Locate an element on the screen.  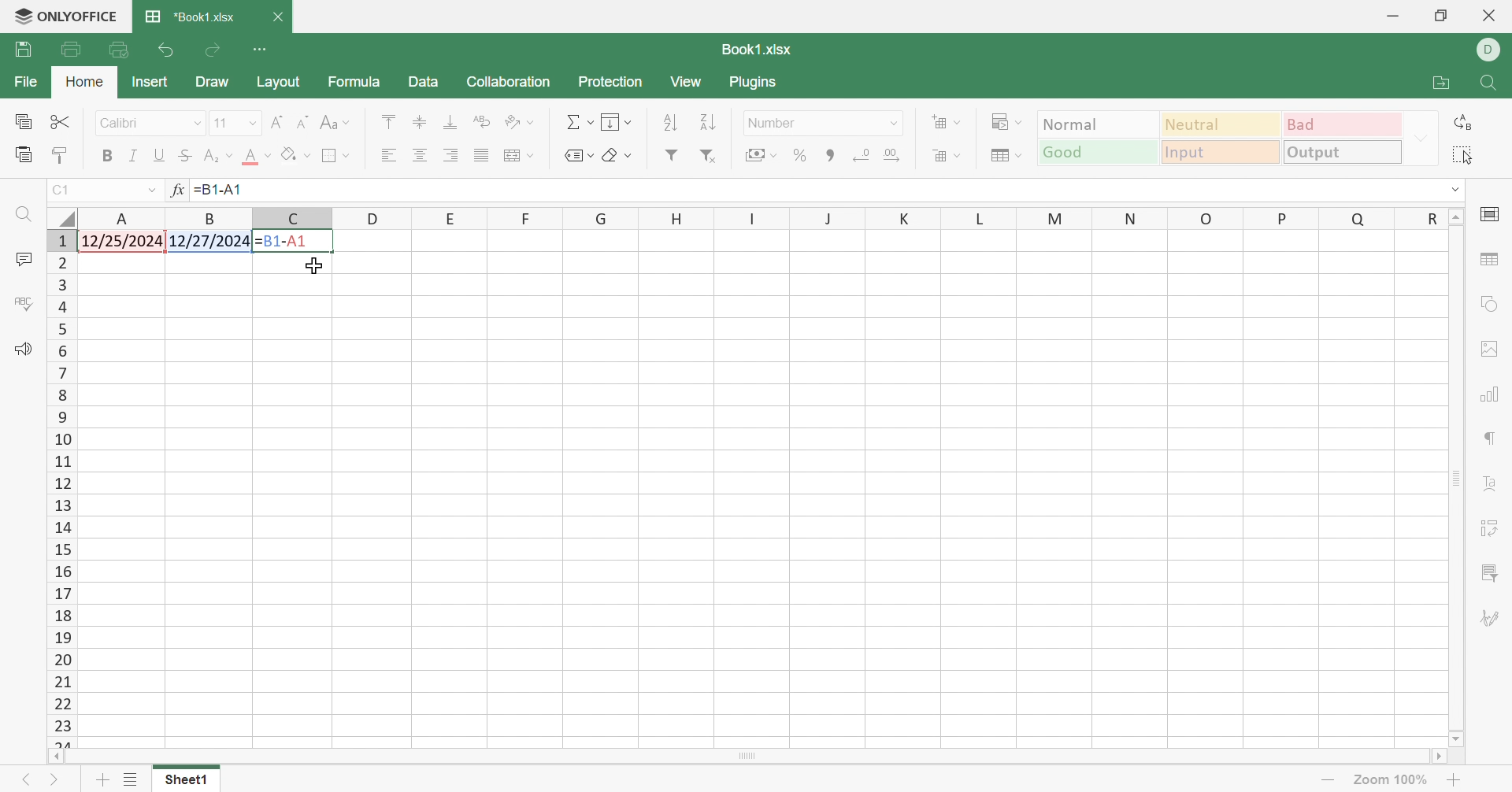
Insert is located at coordinates (150, 82).